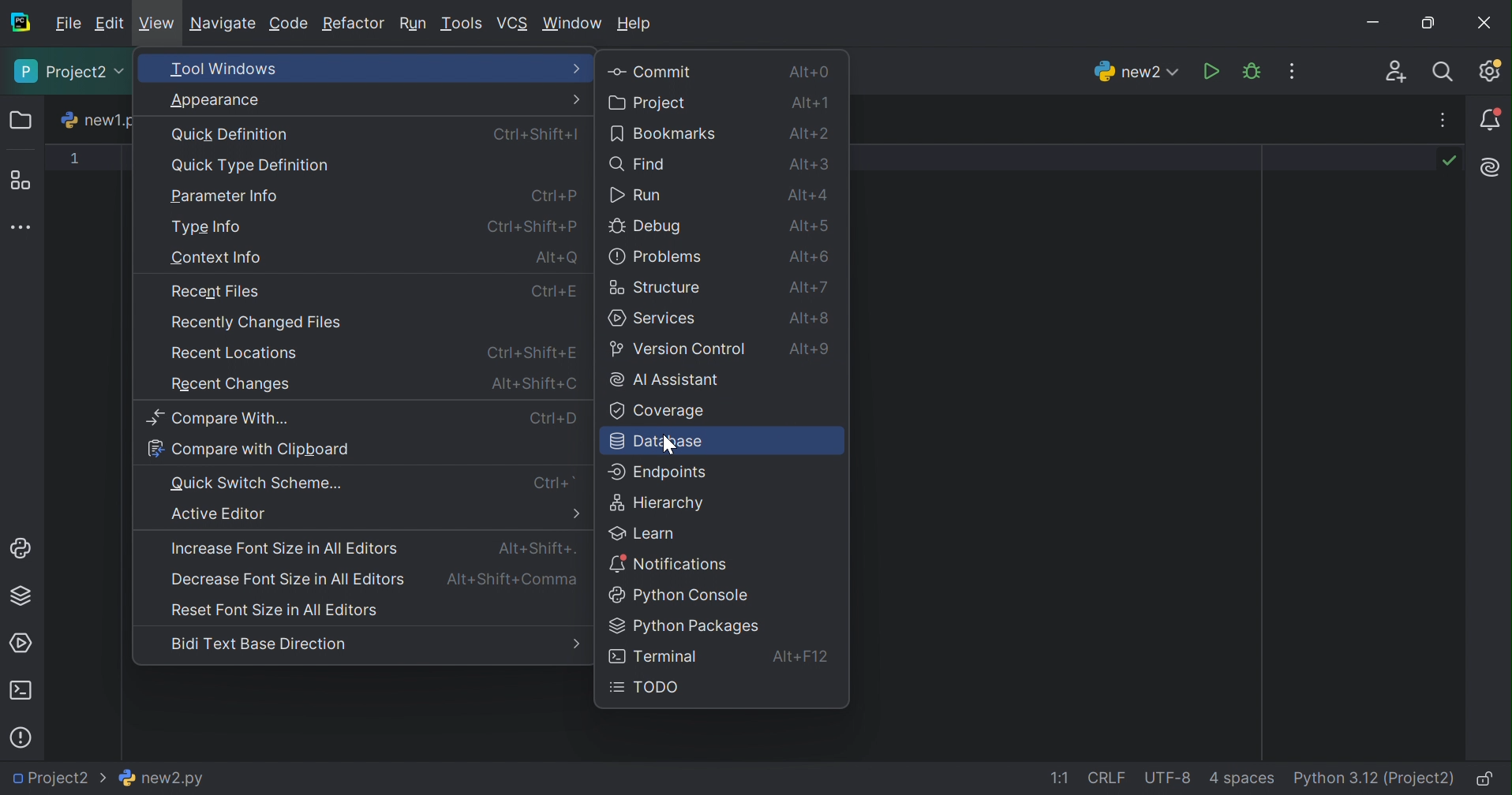 This screenshot has height=795, width=1512. I want to click on 4 spaces, so click(1239, 779).